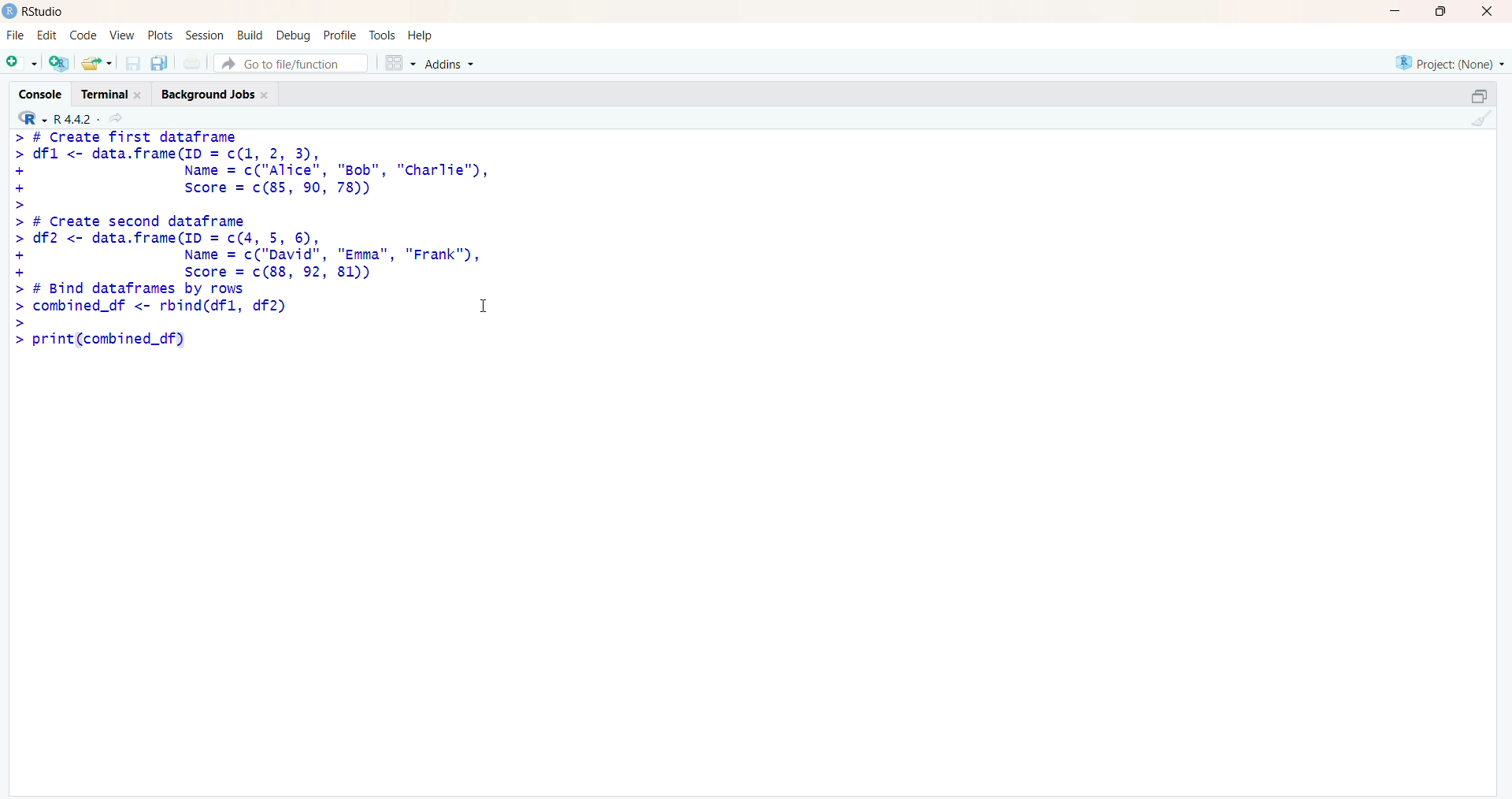 This screenshot has height=799, width=1512. I want to click on # Create Tirst datatramedfl <- data.frame(ID = c(1, 2, 3),Name = c("Alice", "Bob", "Charlie"),Score = c(85, 90, 78))# Create second dataframedf2 <- data.frame(ID = c(4, 5, 6),Name = c("David", "Emma", "Frank"),Score = c(88, 92, 81)), so click(255, 205).